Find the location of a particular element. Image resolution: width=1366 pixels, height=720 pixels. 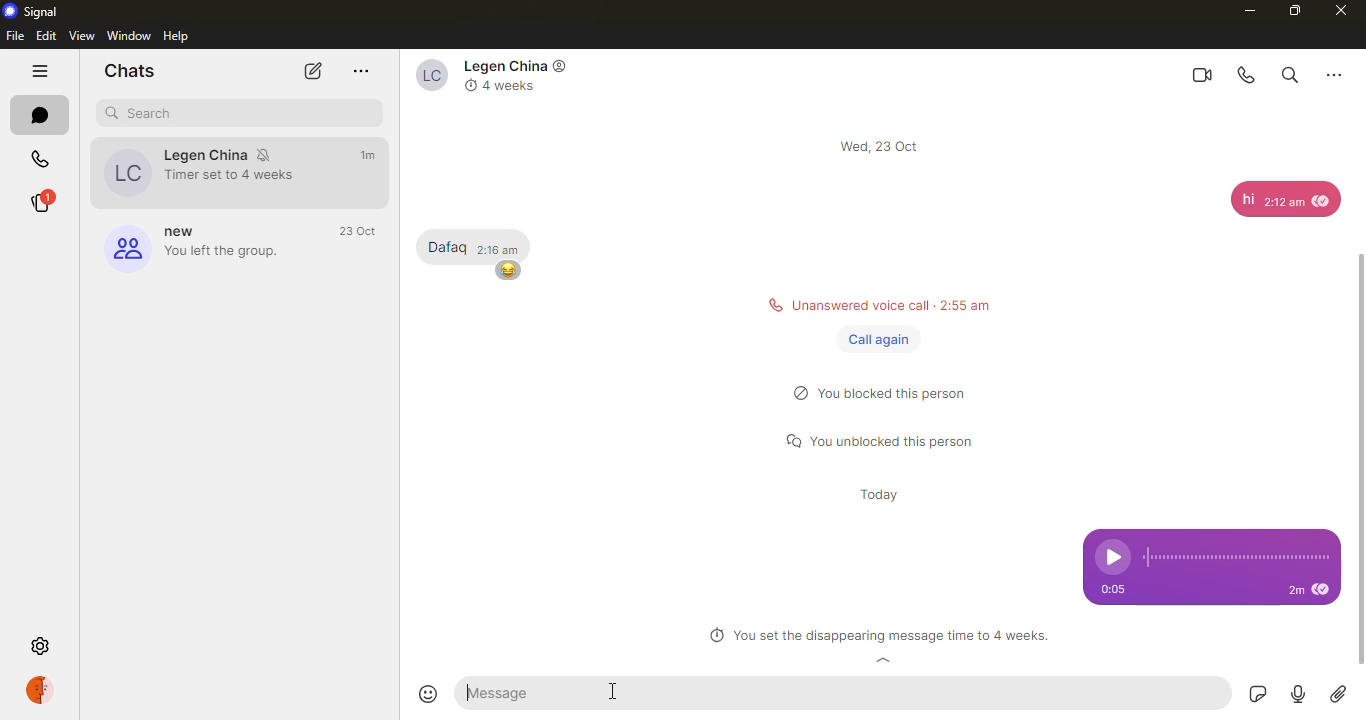

 Unanswered voice call - 2:55 am is located at coordinates (873, 303).